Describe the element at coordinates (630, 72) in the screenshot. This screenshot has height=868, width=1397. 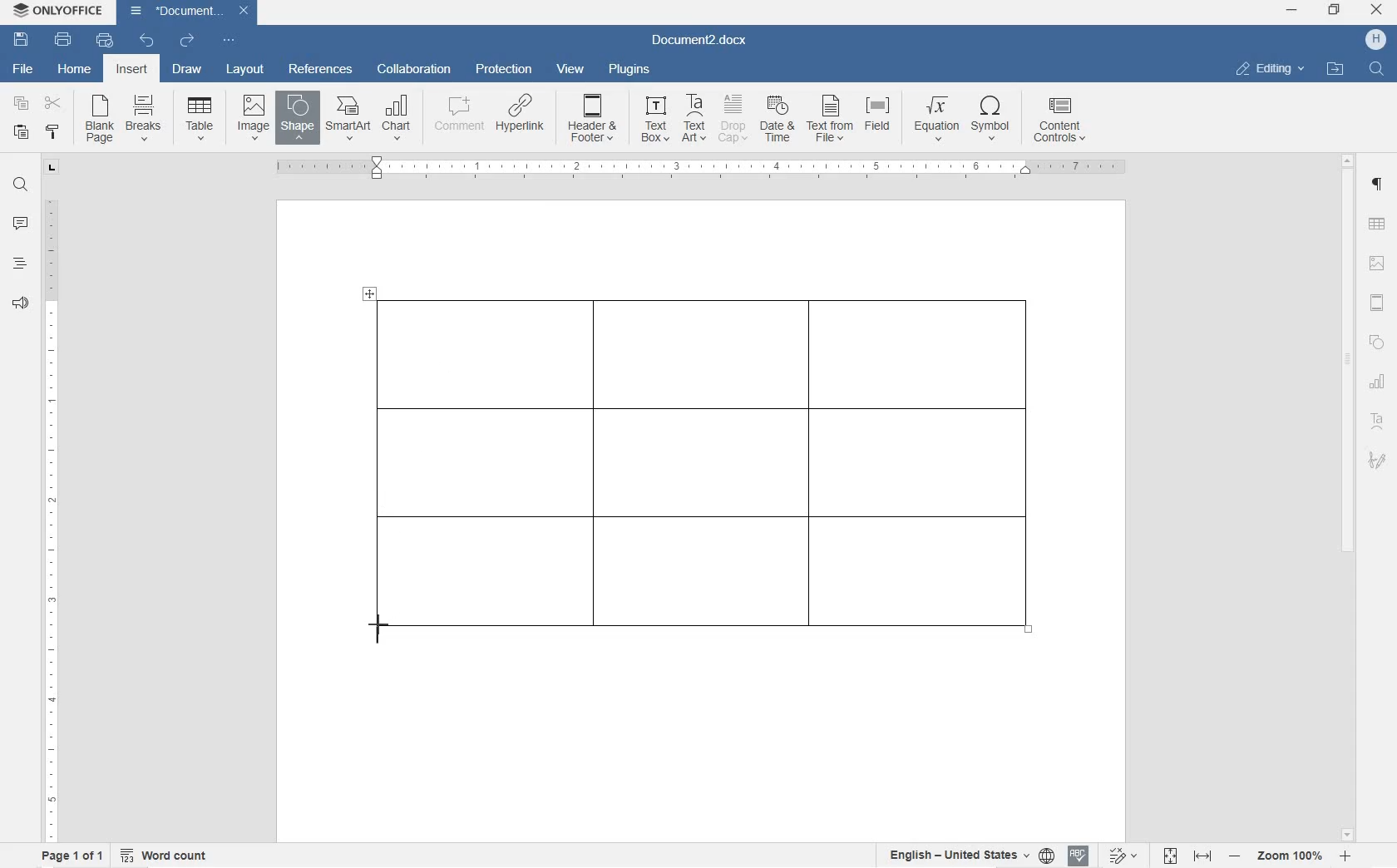
I see `plugins` at that location.